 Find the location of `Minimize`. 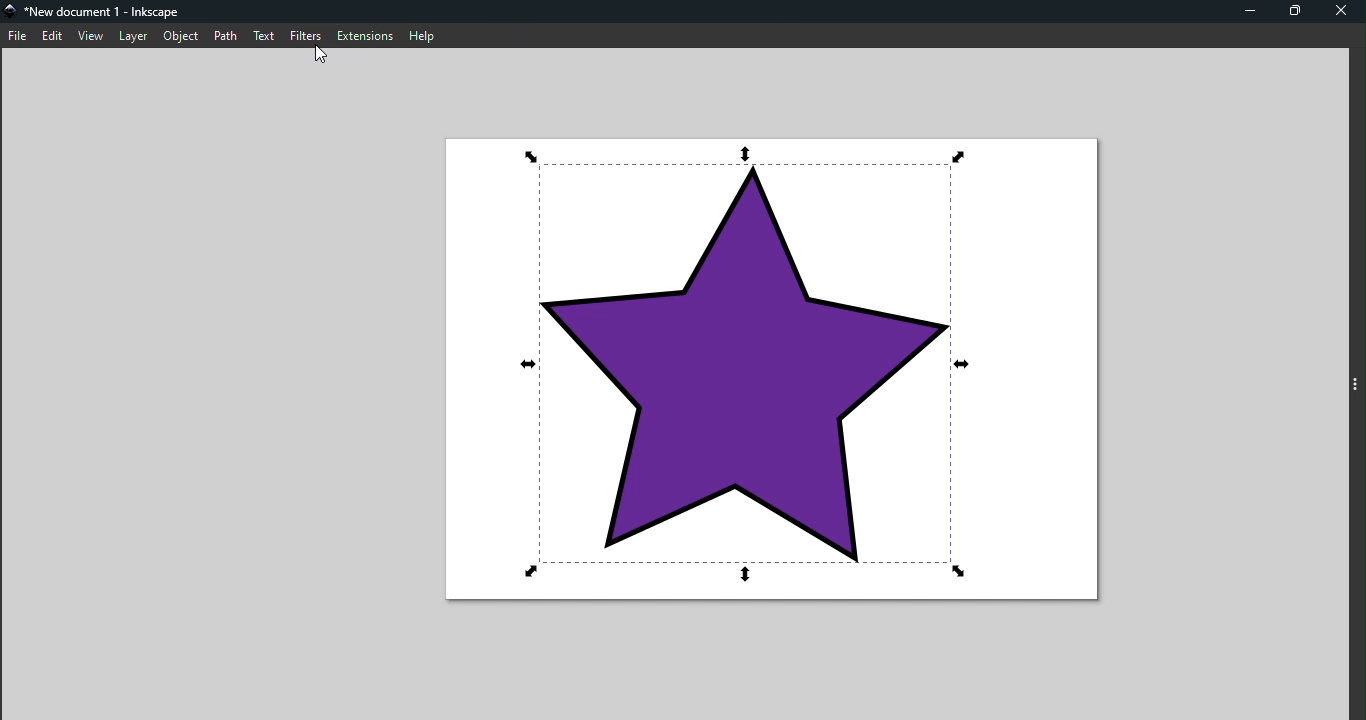

Minimize is located at coordinates (1249, 13).